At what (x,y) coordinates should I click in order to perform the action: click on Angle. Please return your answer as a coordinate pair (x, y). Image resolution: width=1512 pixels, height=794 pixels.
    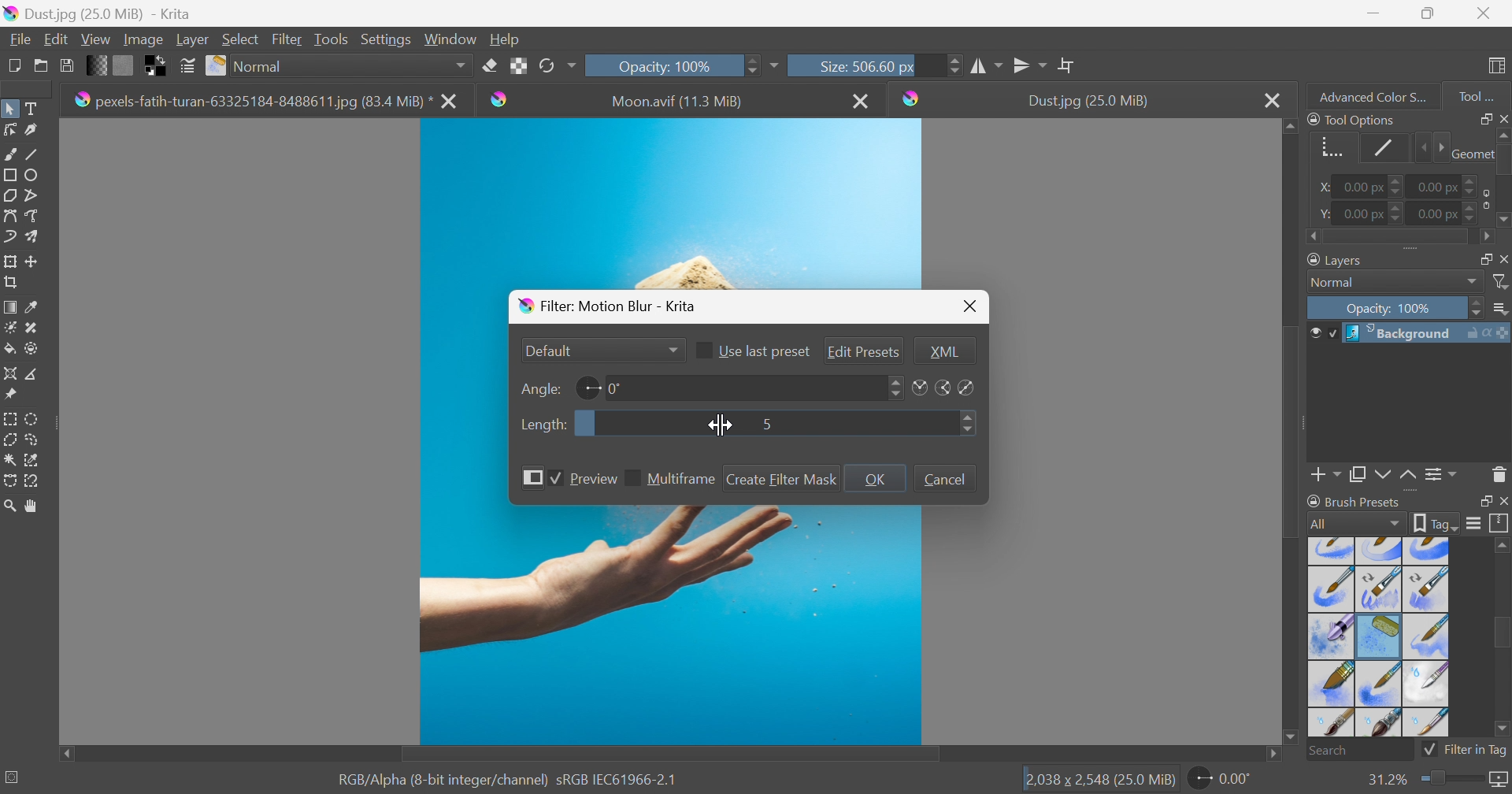
    Looking at the image, I should click on (587, 388).